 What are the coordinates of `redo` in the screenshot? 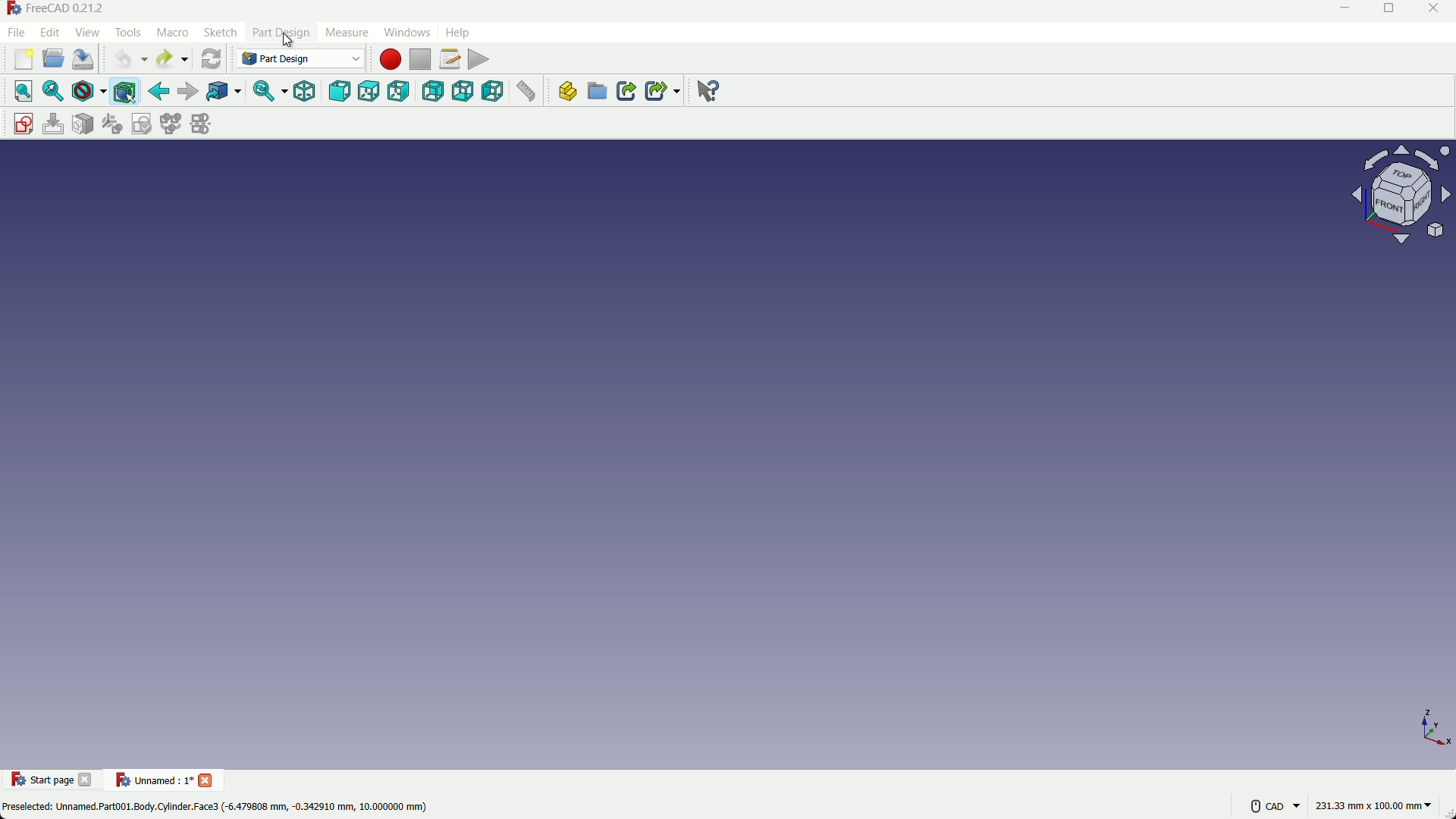 It's located at (164, 58).